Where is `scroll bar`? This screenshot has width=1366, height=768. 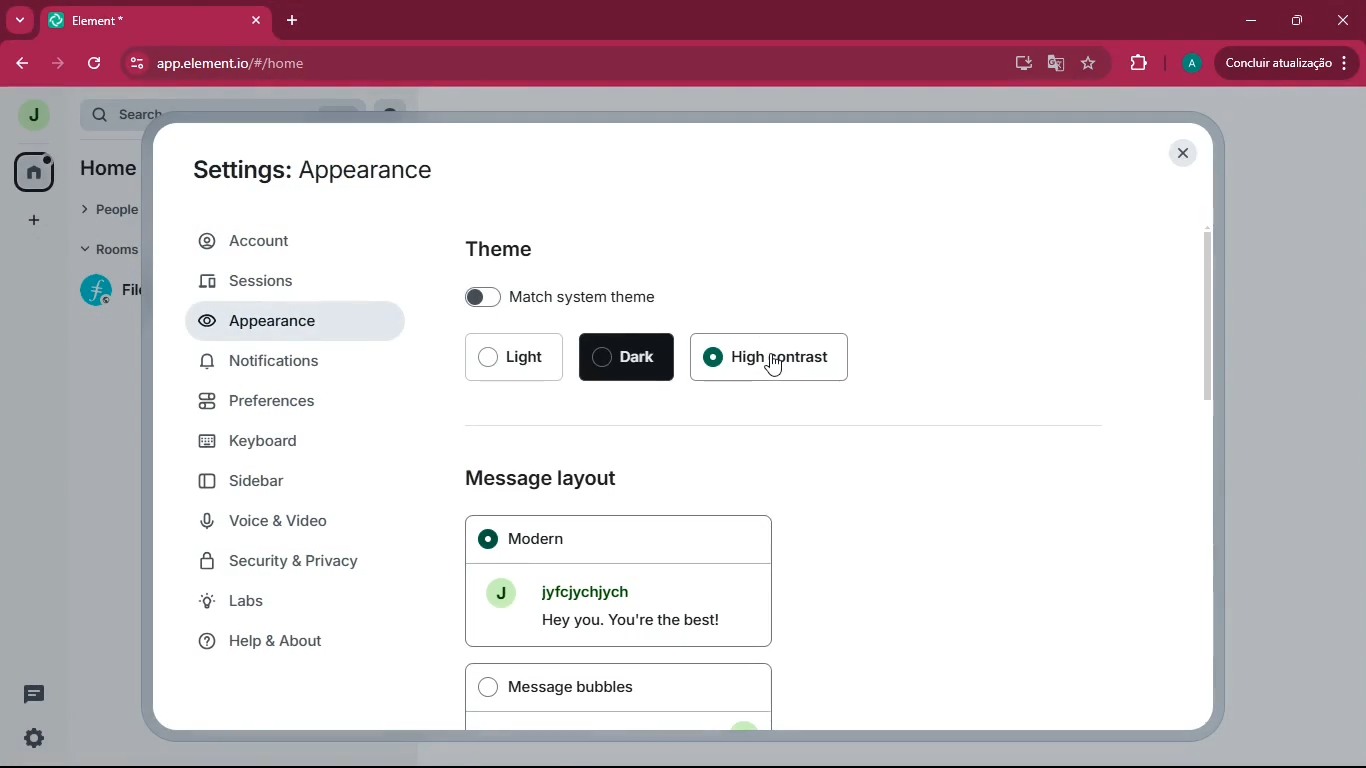 scroll bar is located at coordinates (1208, 316).